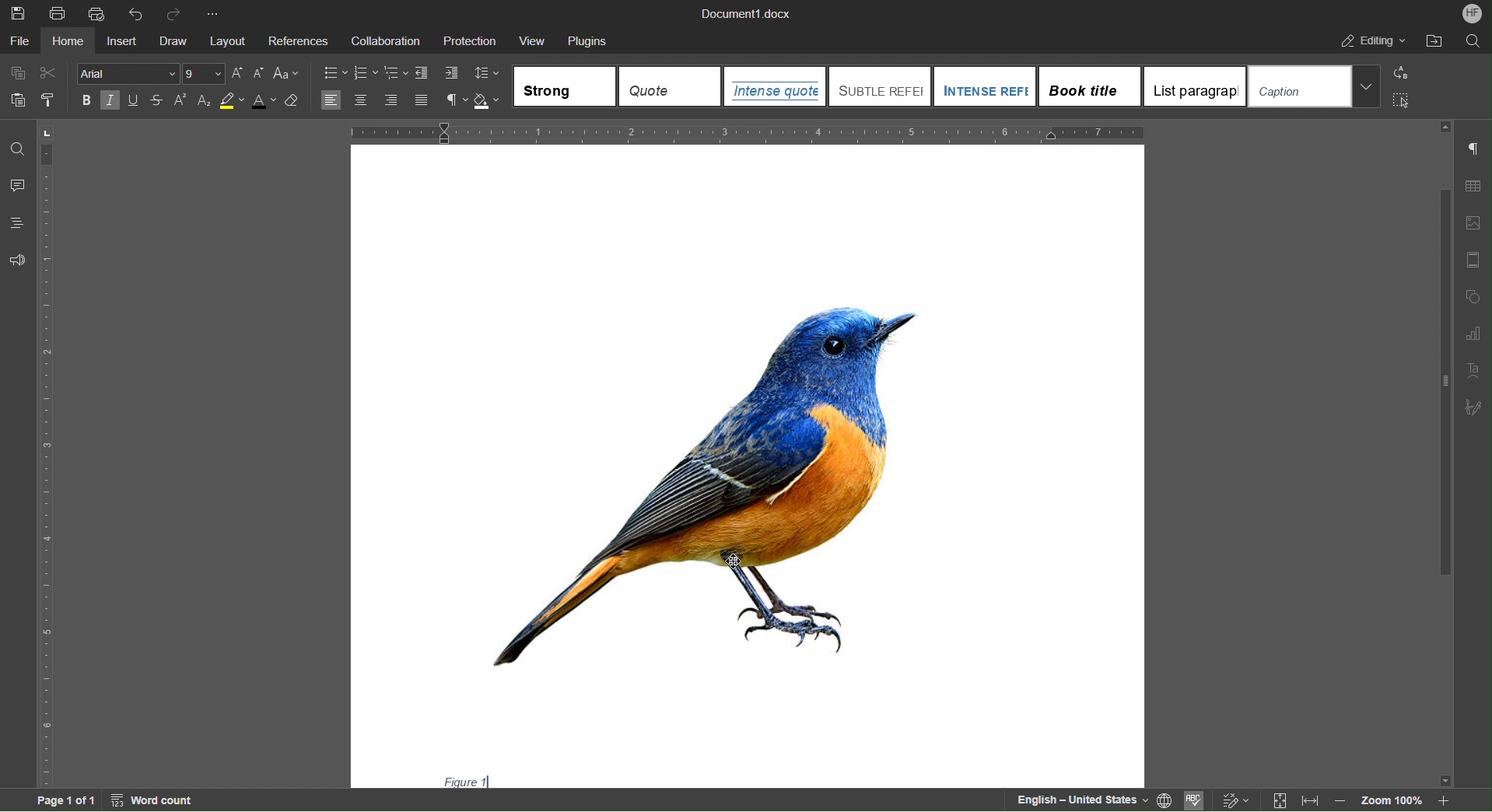 The height and width of the screenshot is (812, 1492). What do you see at coordinates (18, 12) in the screenshot?
I see `Save` at bounding box center [18, 12].